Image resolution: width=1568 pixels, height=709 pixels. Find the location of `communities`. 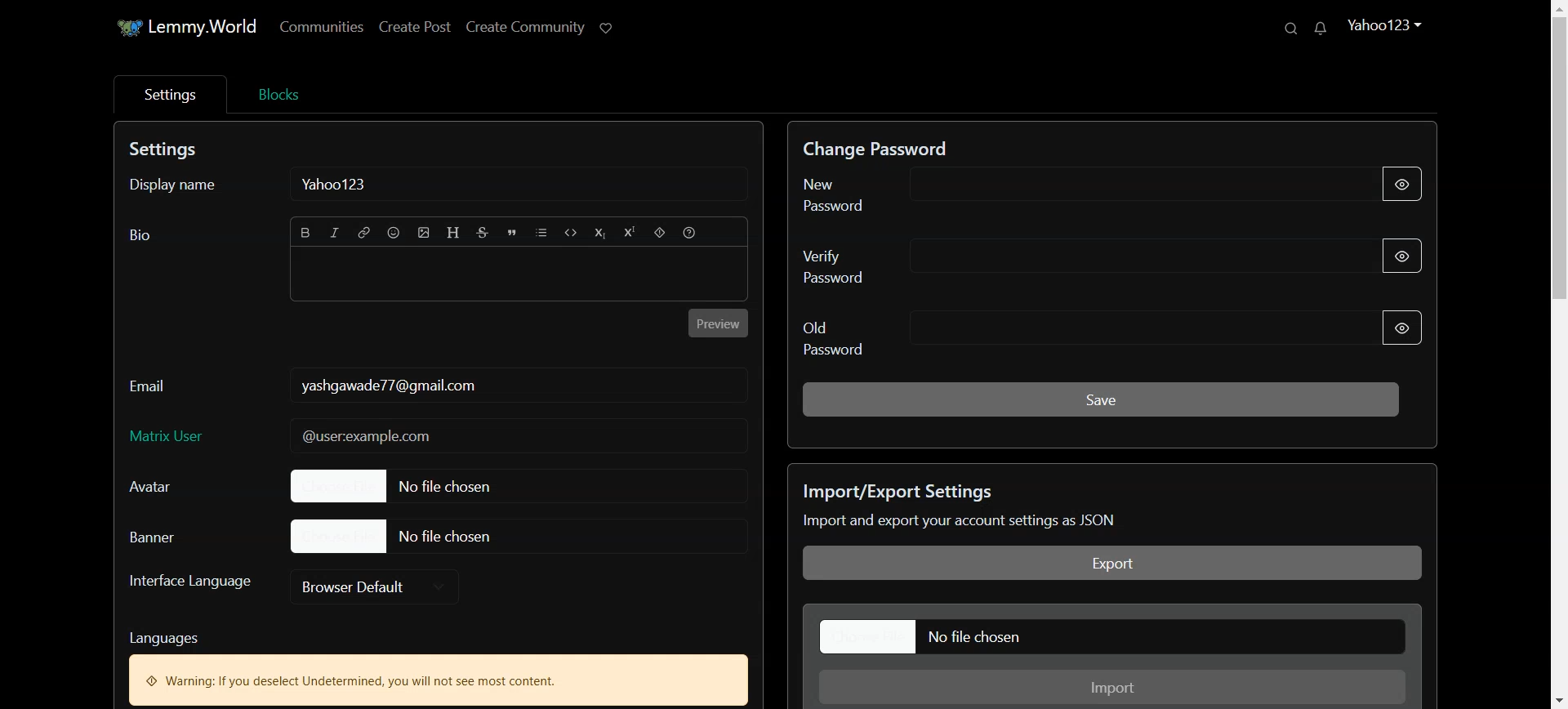

communities is located at coordinates (326, 26).